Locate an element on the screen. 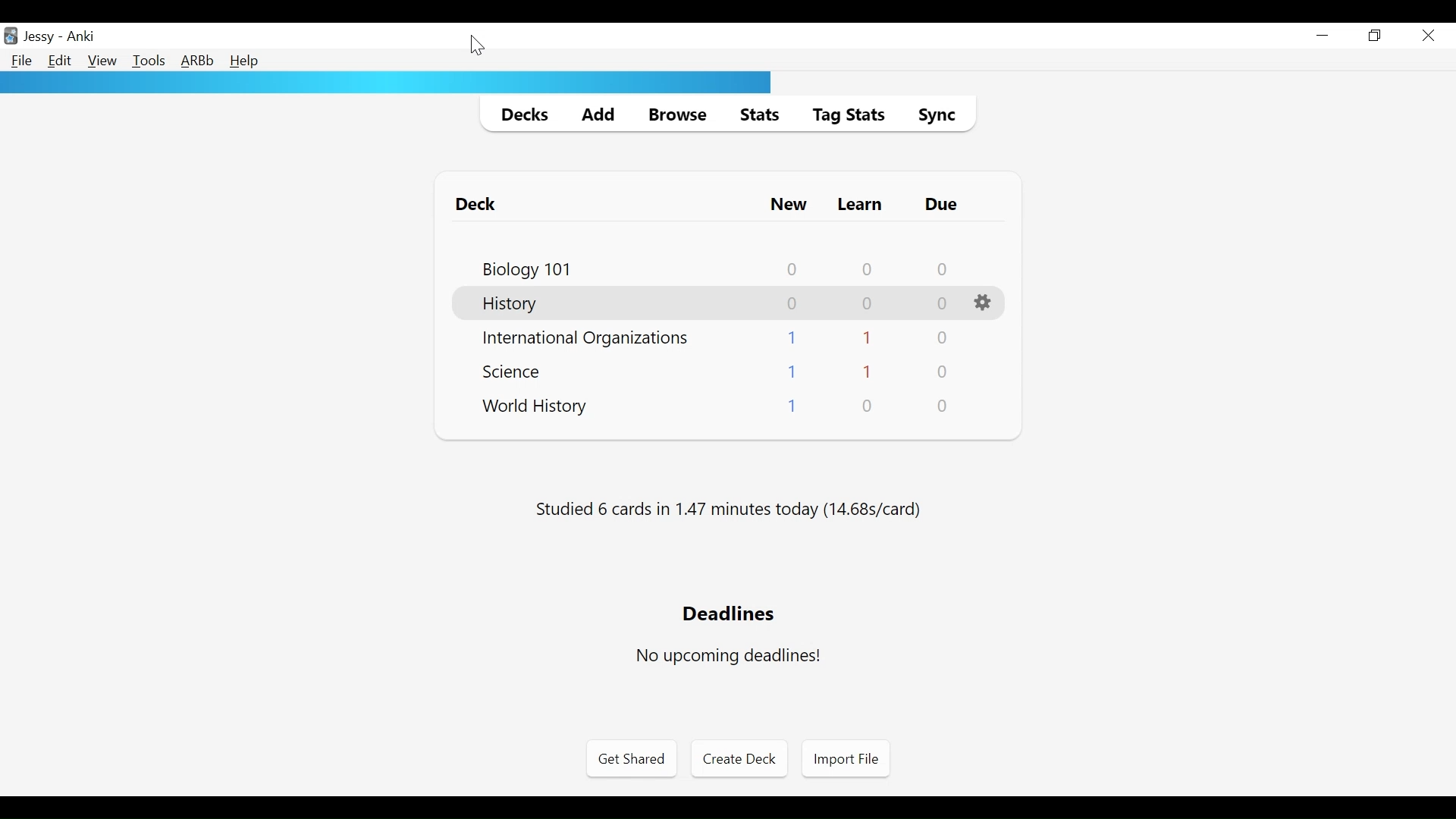 Image resolution: width=1456 pixels, height=819 pixels. Deck Name is located at coordinates (510, 305).